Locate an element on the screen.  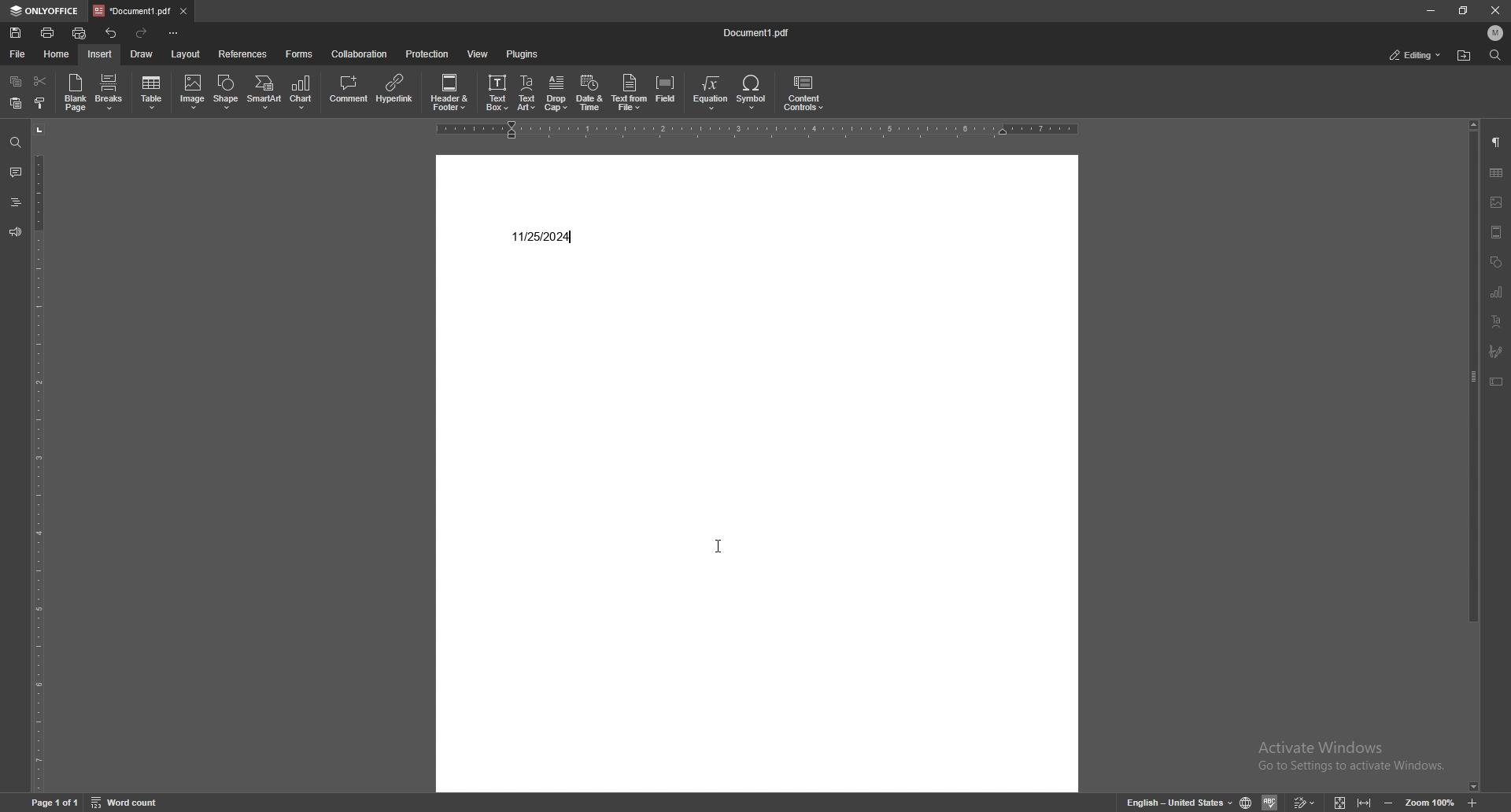
minimize is located at coordinates (1428, 9).